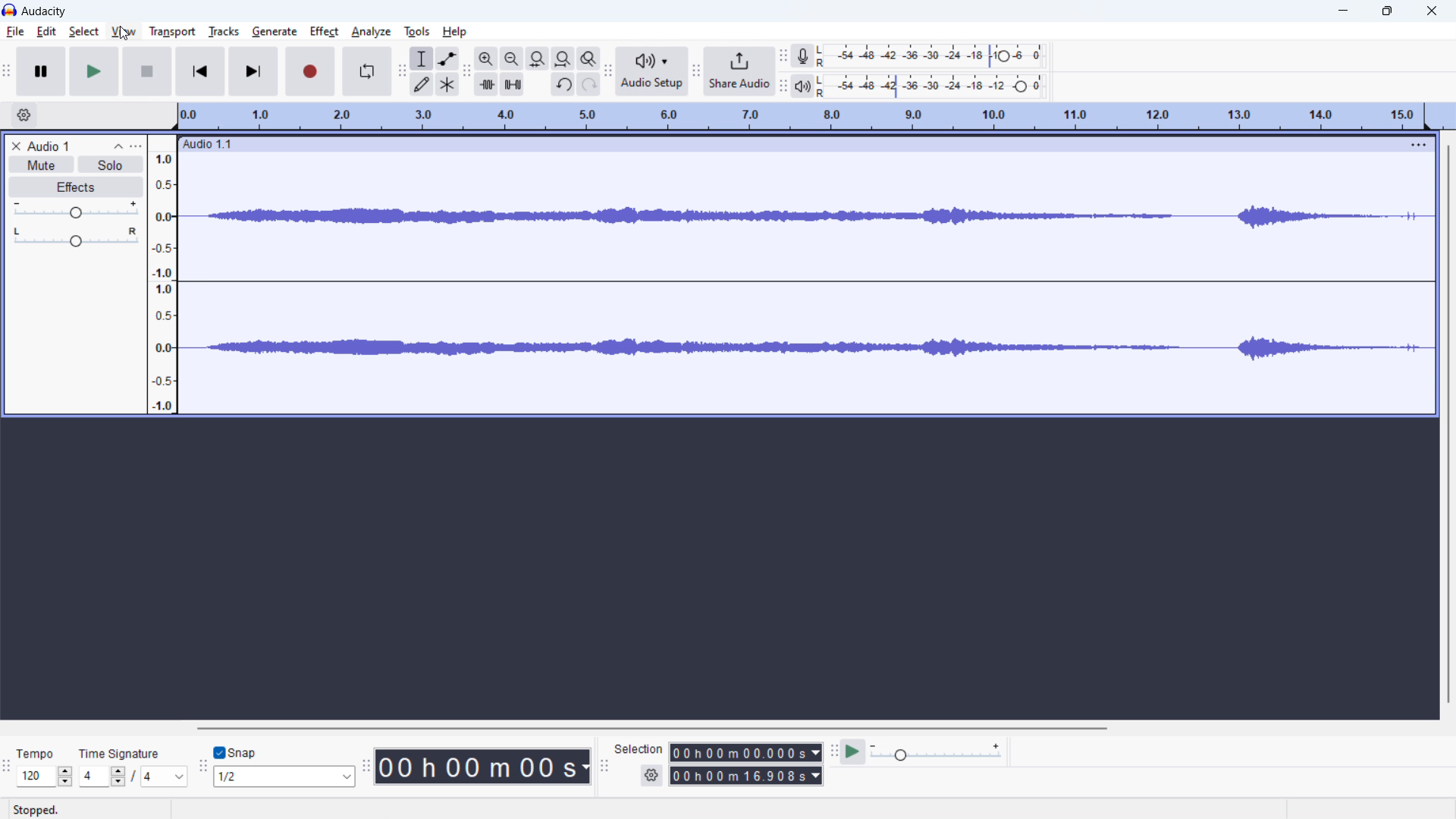 This screenshot has width=1456, height=819. What do you see at coordinates (137, 146) in the screenshot?
I see `view menu` at bounding box center [137, 146].